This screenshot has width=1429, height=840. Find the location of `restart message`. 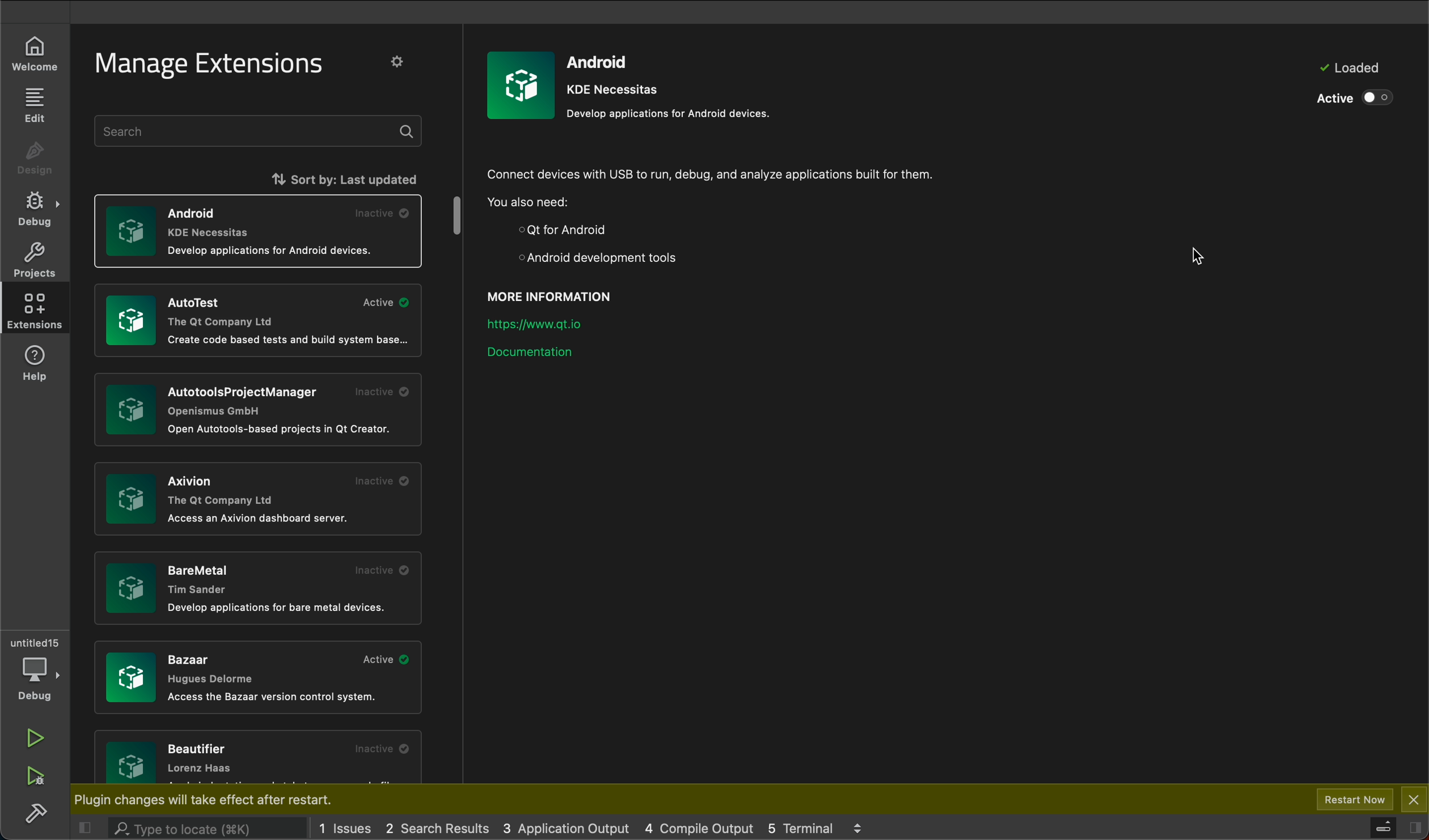

restart message is located at coordinates (234, 800).